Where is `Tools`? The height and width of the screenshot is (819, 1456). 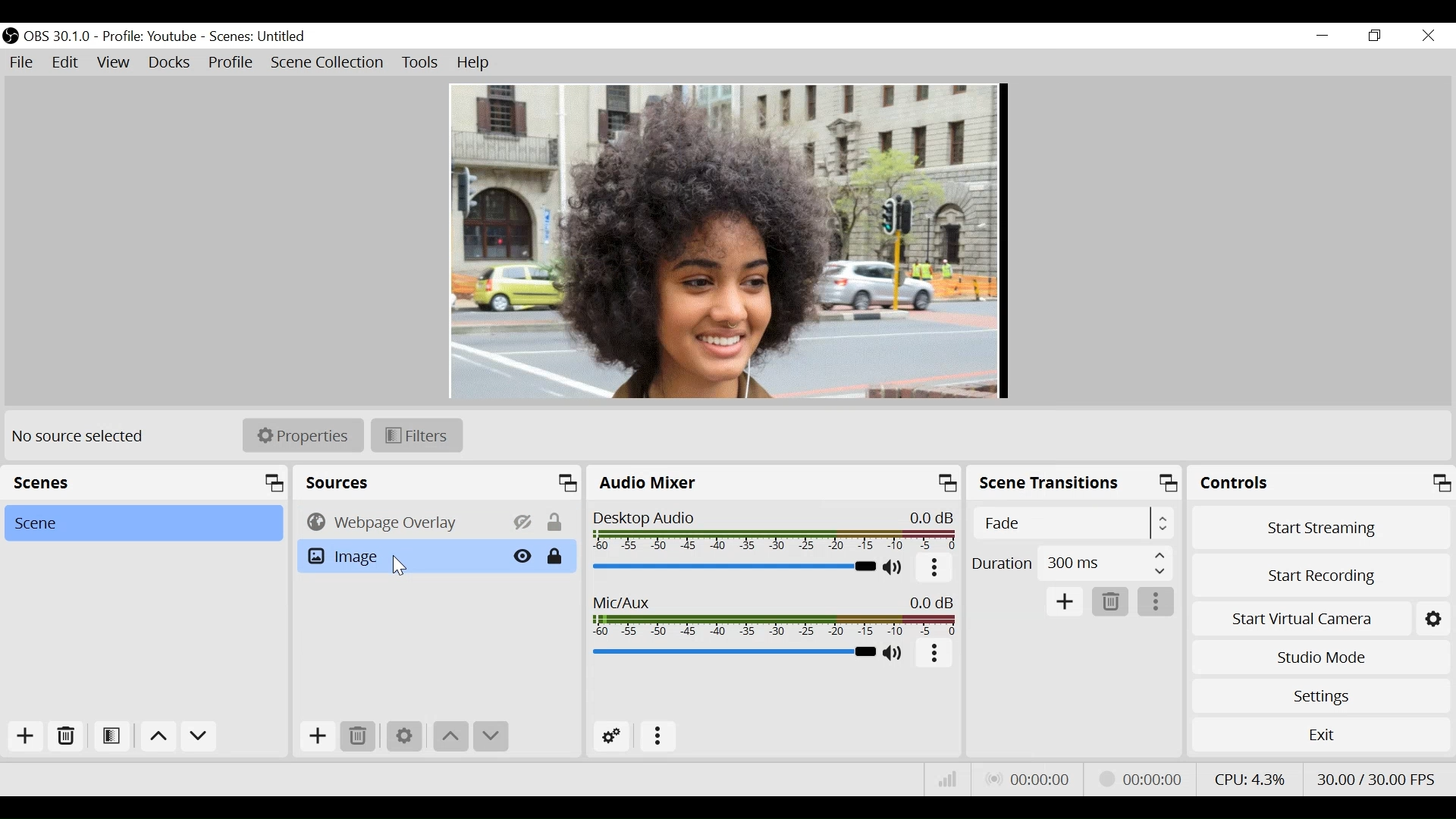 Tools is located at coordinates (421, 63).